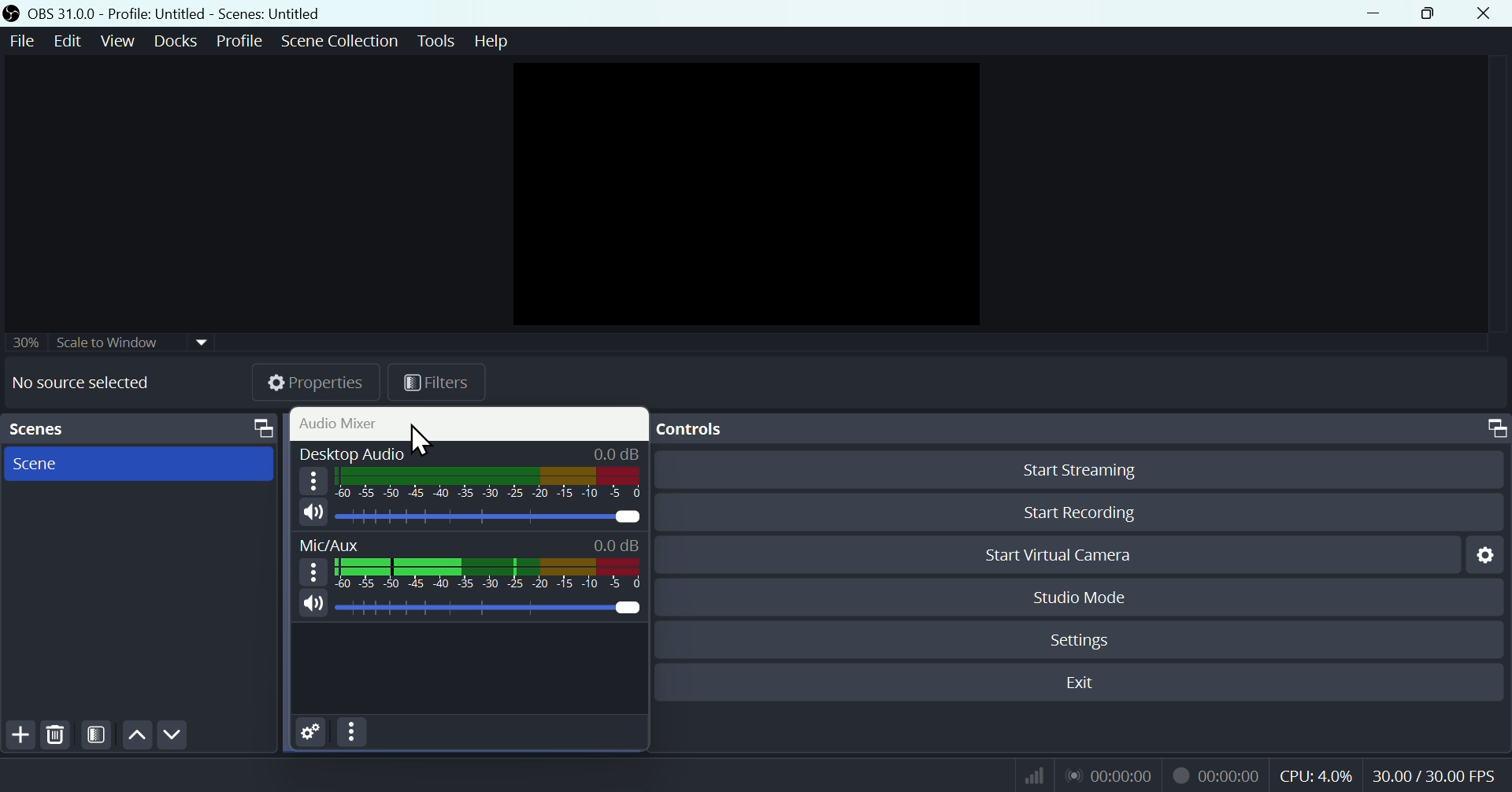 This screenshot has height=792, width=1512. Describe the element at coordinates (488, 516) in the screenshot. I see `Desktop Audio` at that location.